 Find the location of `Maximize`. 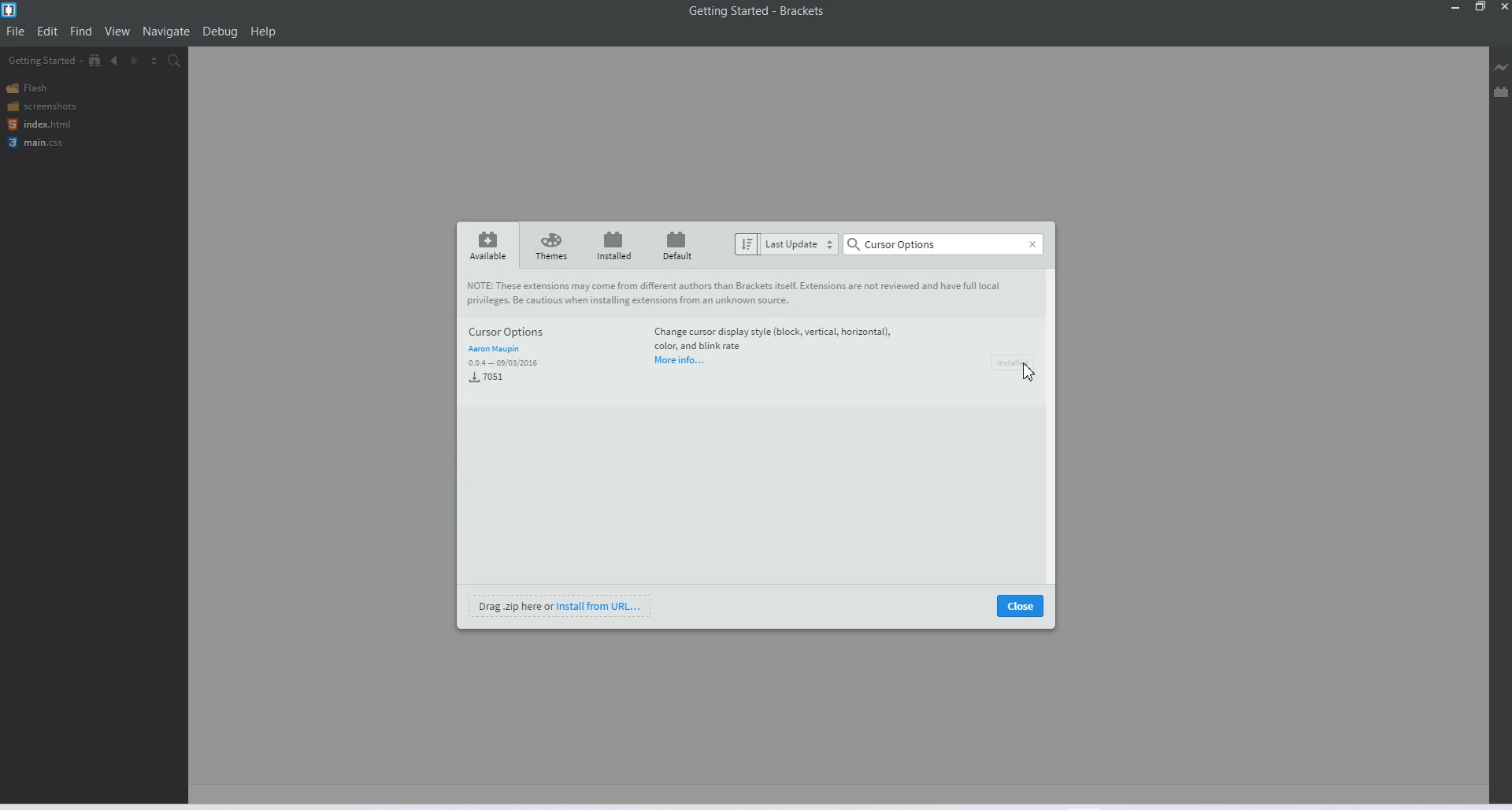

Maximize is located at coordinates (1480, 7).